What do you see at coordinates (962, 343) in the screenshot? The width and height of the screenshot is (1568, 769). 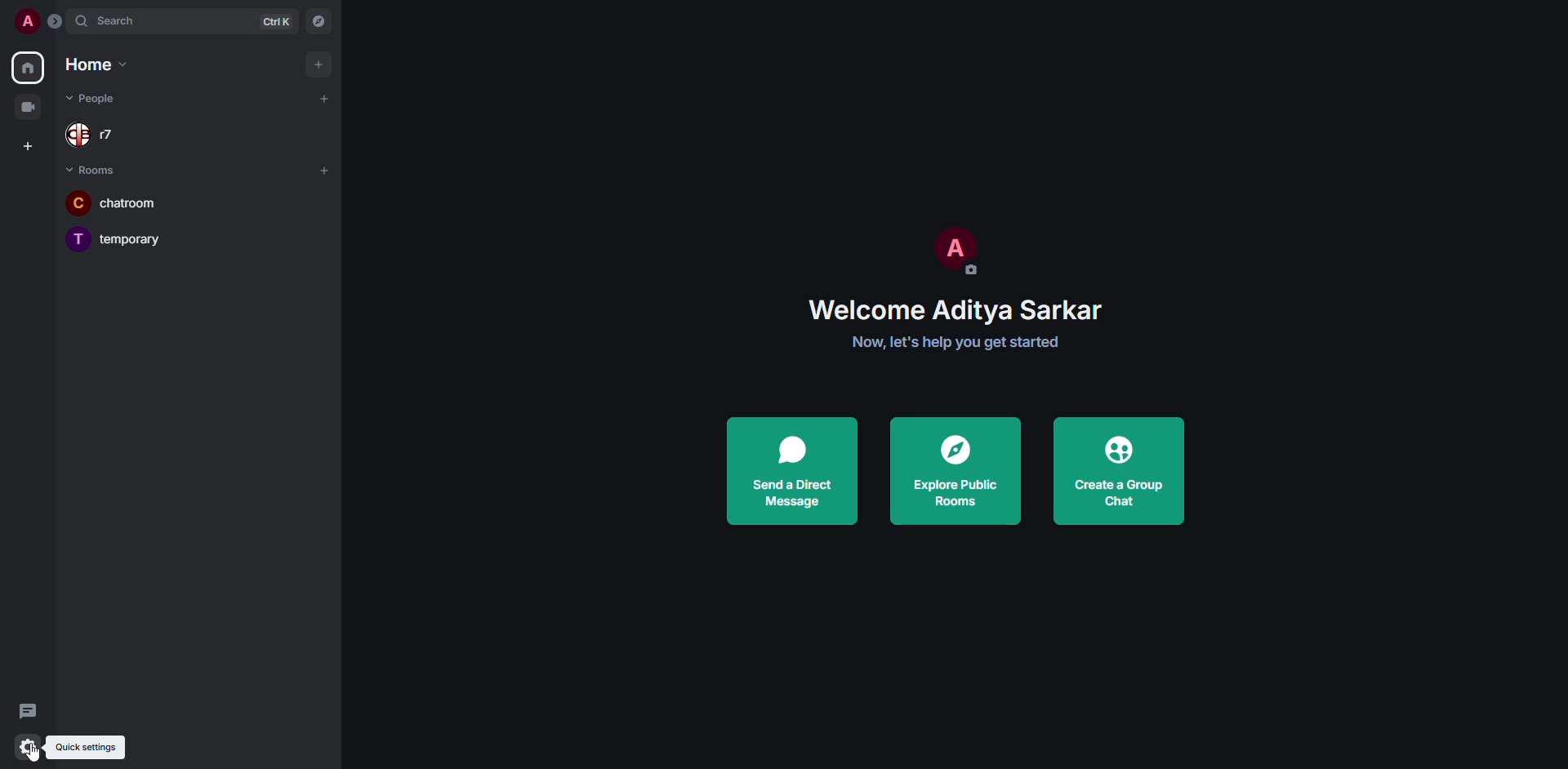 I see `get started` at bounding box center [962, 343].